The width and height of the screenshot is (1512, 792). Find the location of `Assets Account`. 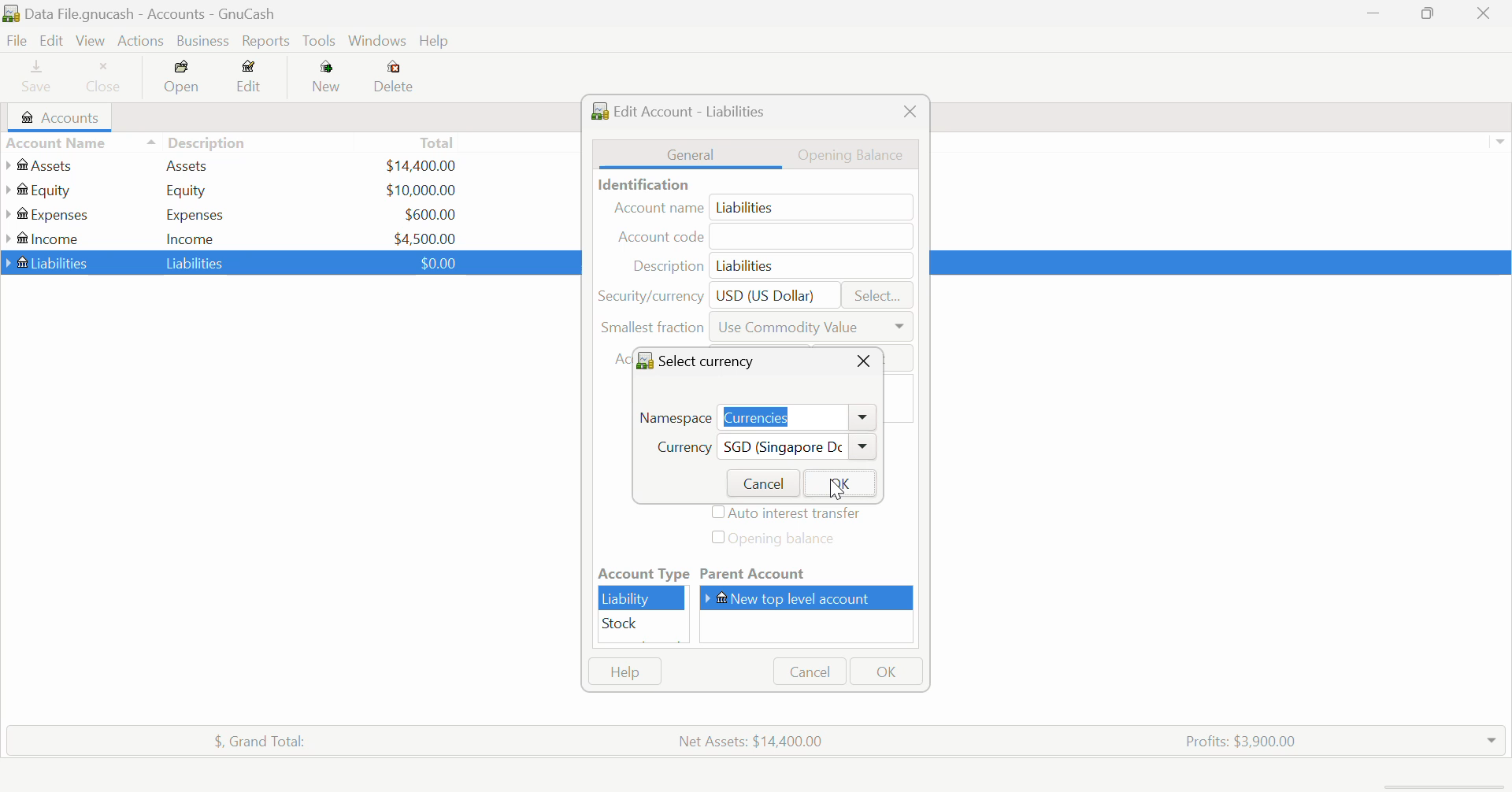

Assets Account is located at coordinates (42, 165).